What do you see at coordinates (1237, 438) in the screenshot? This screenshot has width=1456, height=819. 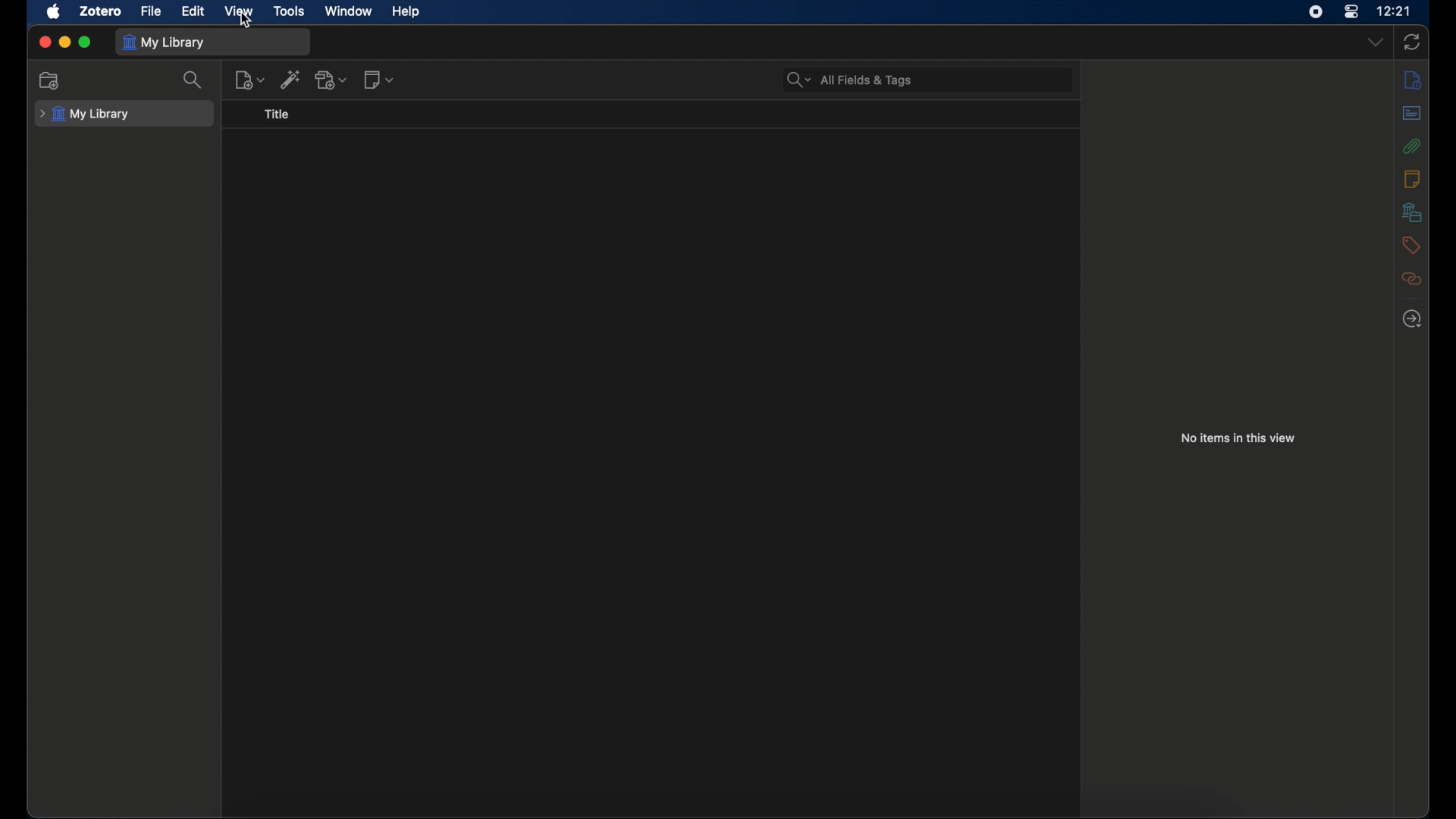 I see `no items in this view` at bounding box center [1237, 438].